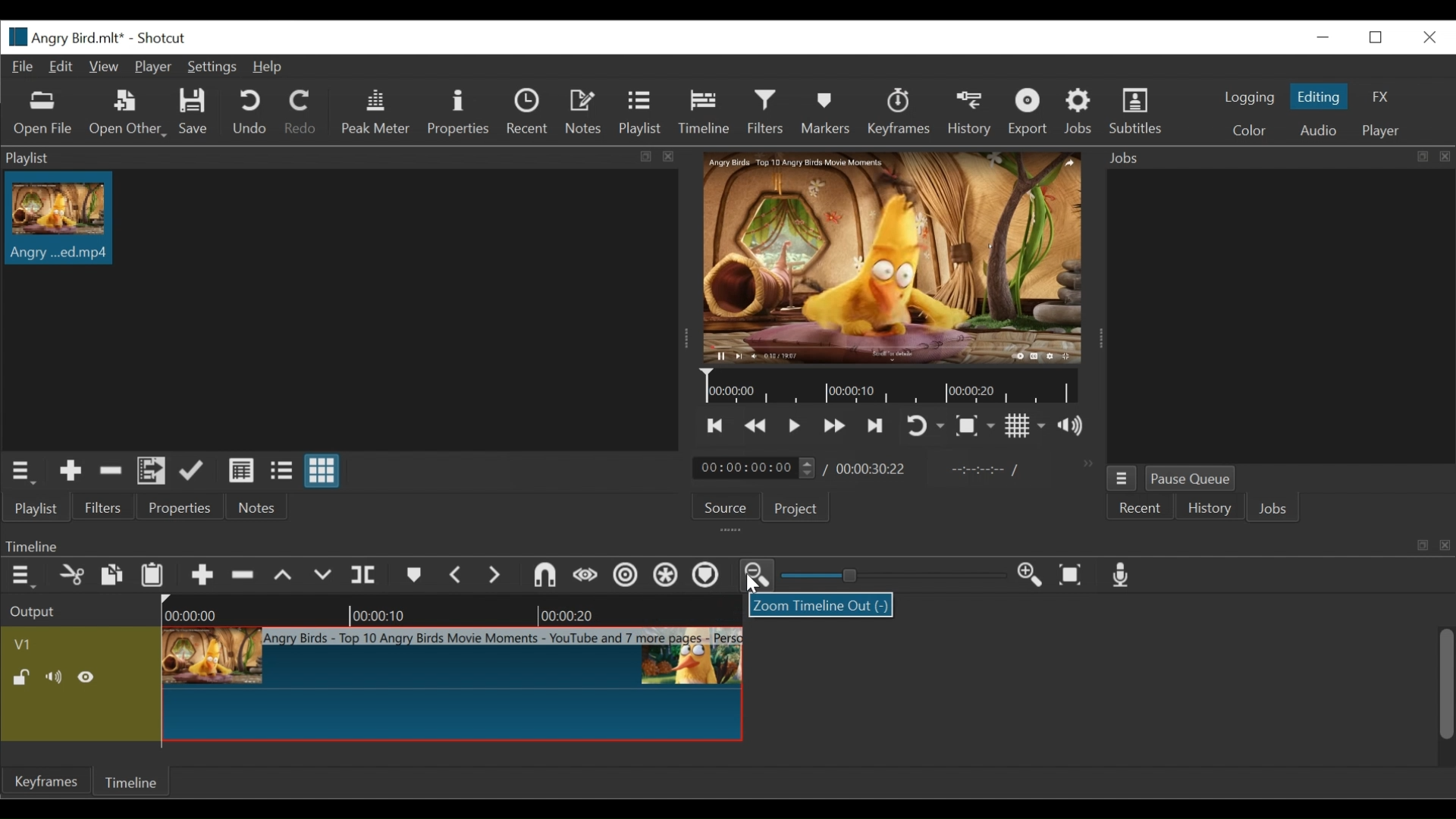 The width and height of the screenshot is (1456, 819). Describe the element at coordinates (283, 470) in the screenshot. I see `View as files` at that location.